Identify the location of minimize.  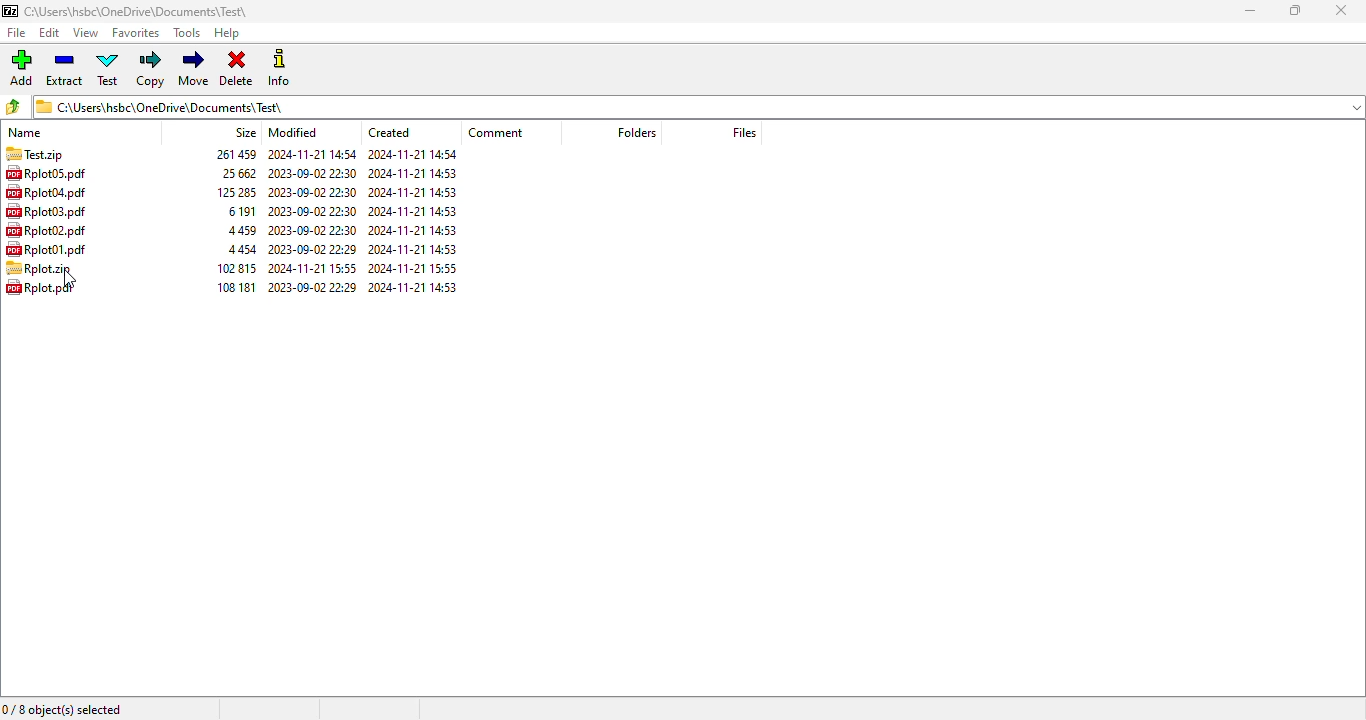
(1251, 11).